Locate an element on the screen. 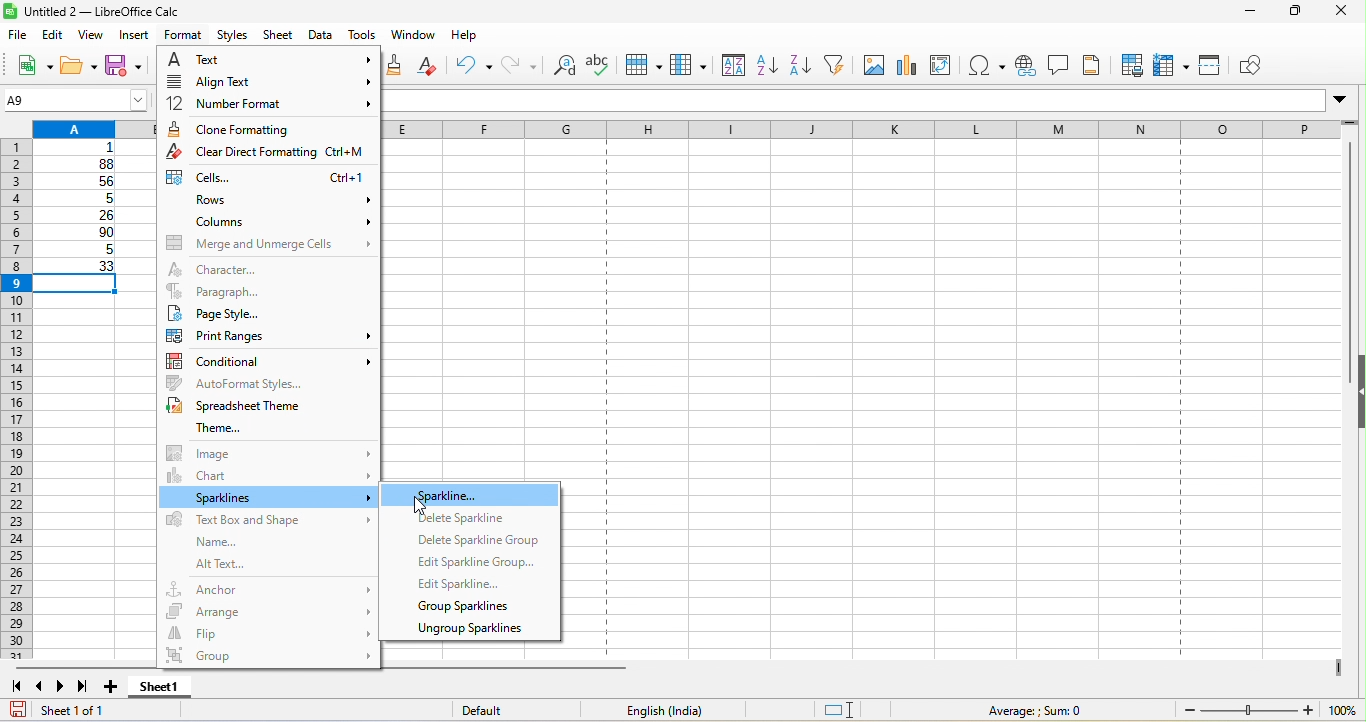 The image size is (1366, 722). edit sparkline is located at coordinates (465, 584).